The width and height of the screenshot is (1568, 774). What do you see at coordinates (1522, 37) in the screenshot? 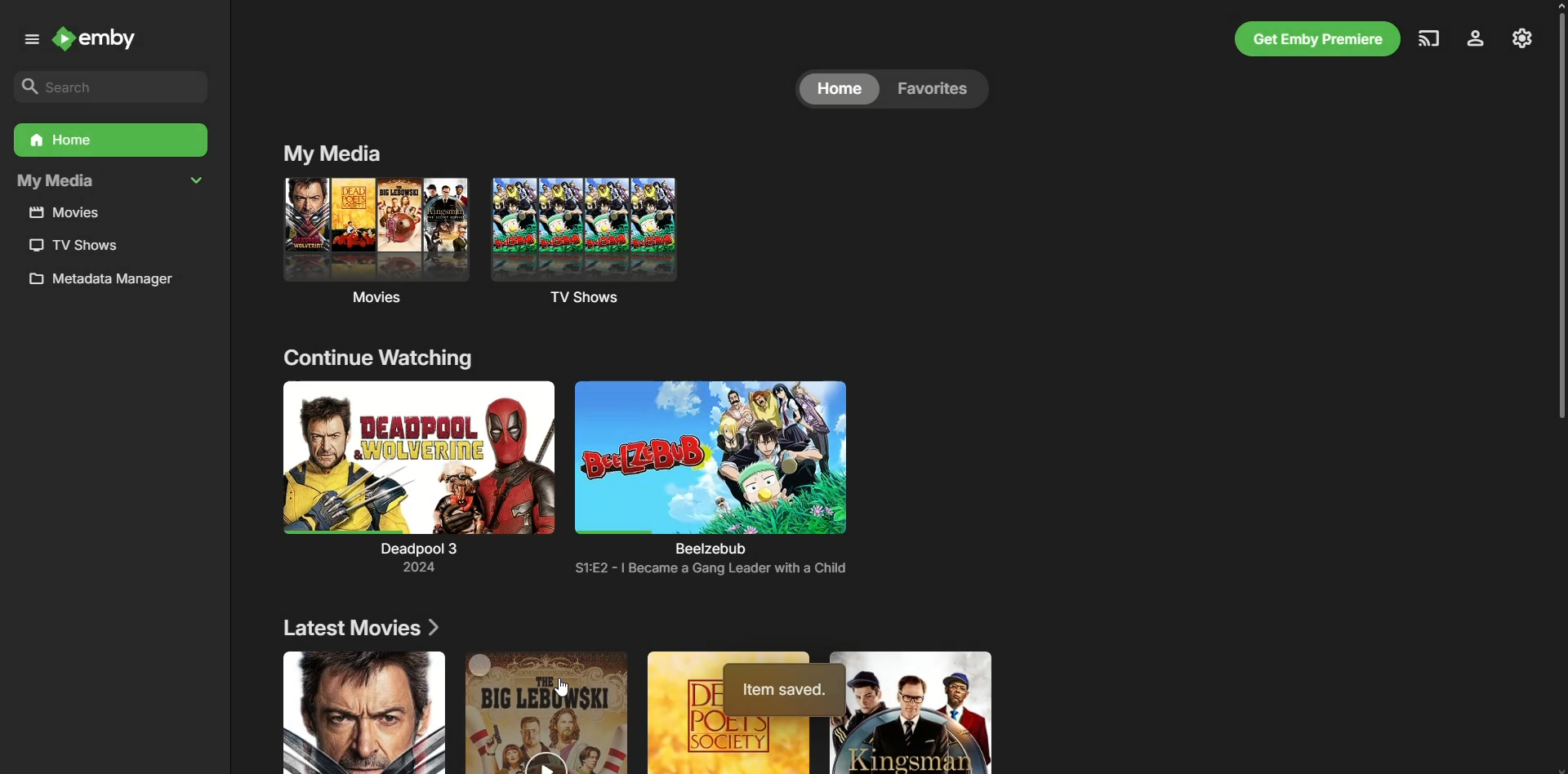
I see `Settings` at bounding box center [1522, 37].